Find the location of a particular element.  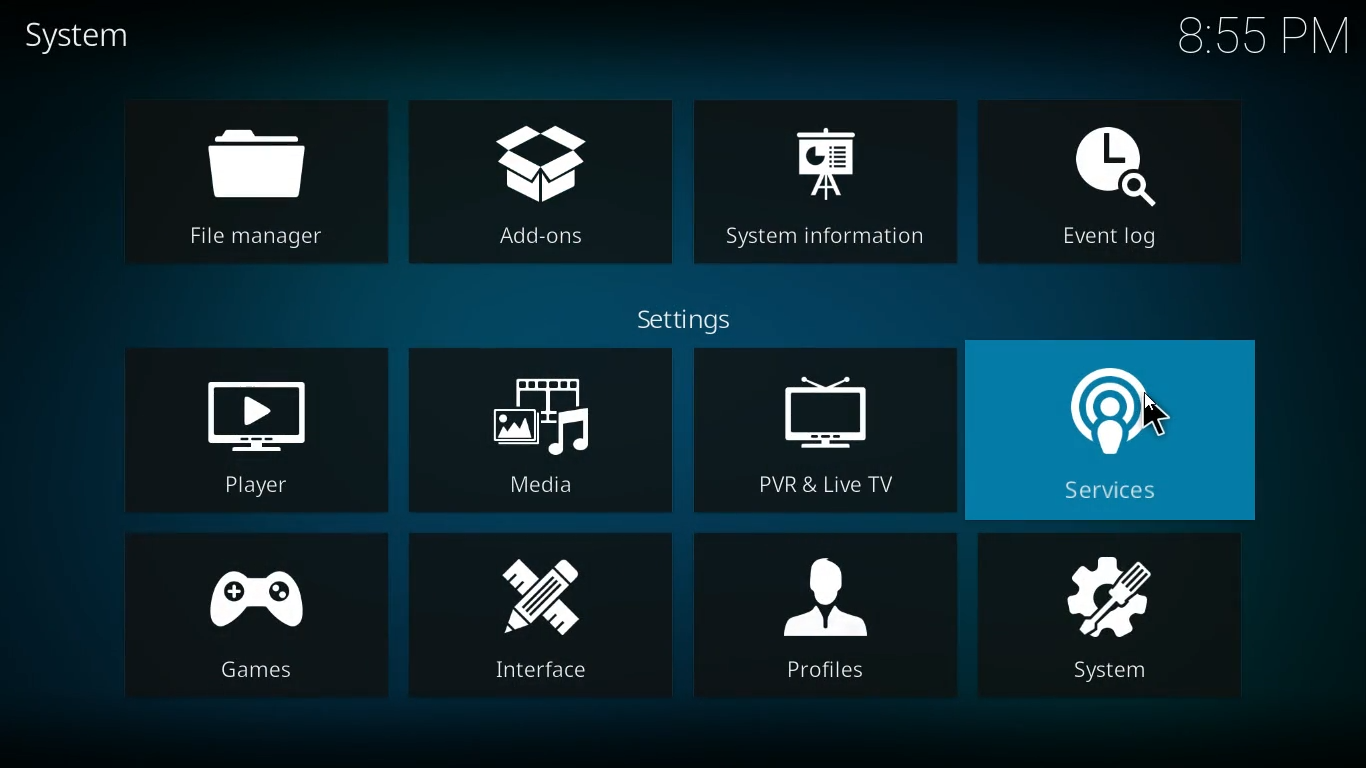

profiles is located at coordinates (822, 625).